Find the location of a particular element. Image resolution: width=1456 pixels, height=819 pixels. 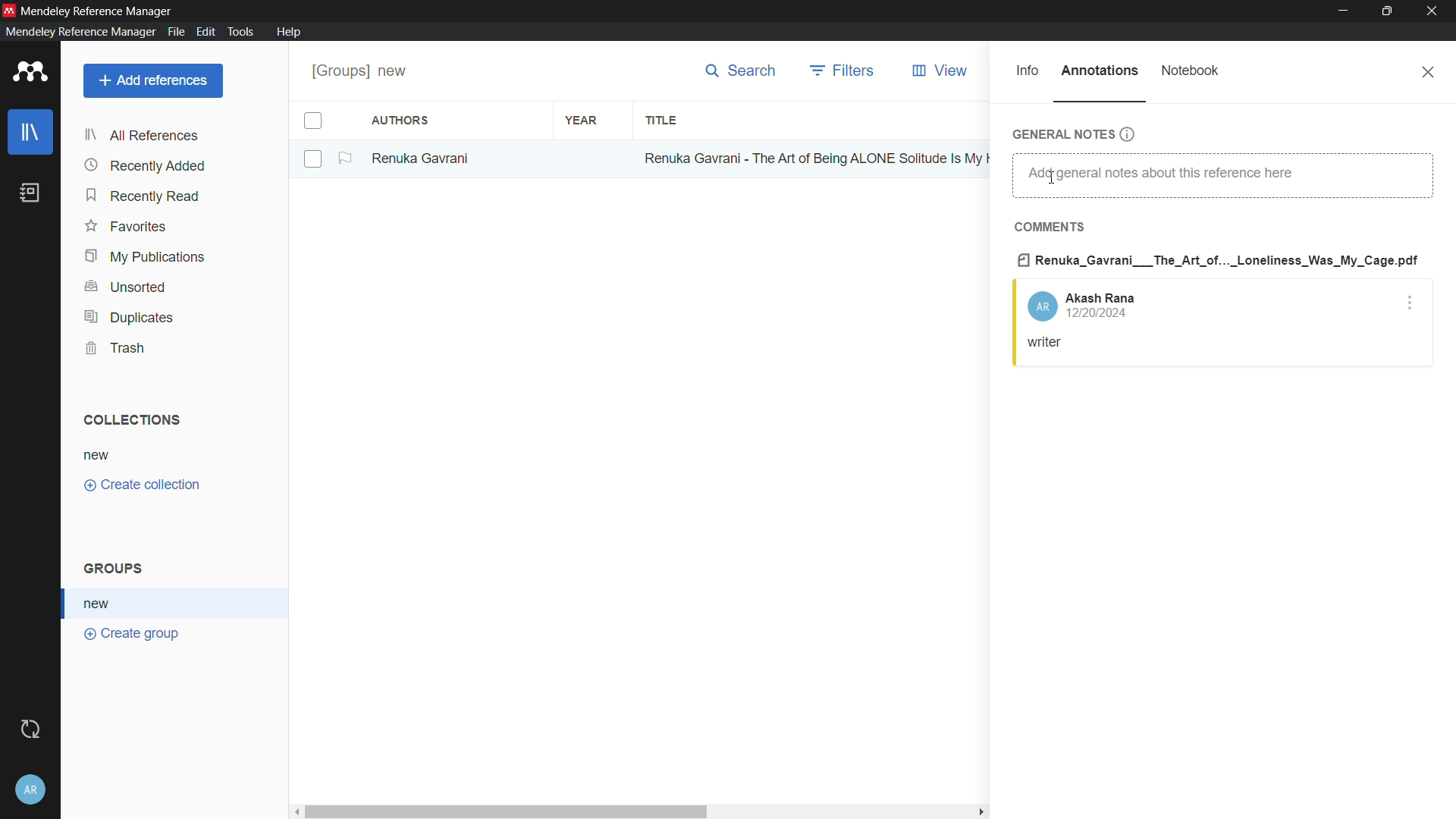

Renuka Gavrani The Art of Loneliness Was My Cage.pdf is located at coordinates (1216, 261).